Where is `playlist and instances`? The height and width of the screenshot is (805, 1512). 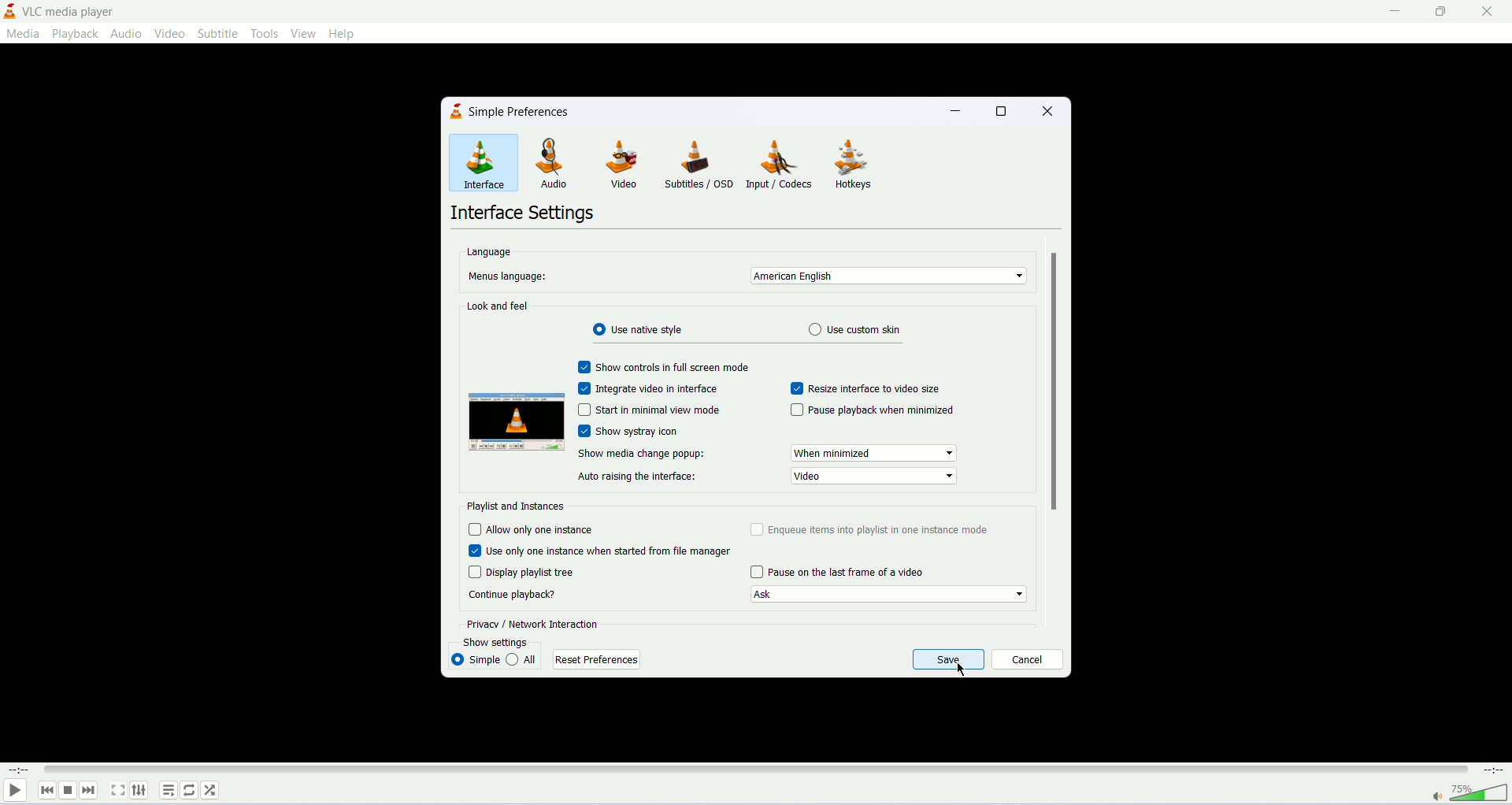 playlist and instances is located at coordinates (517, 506).